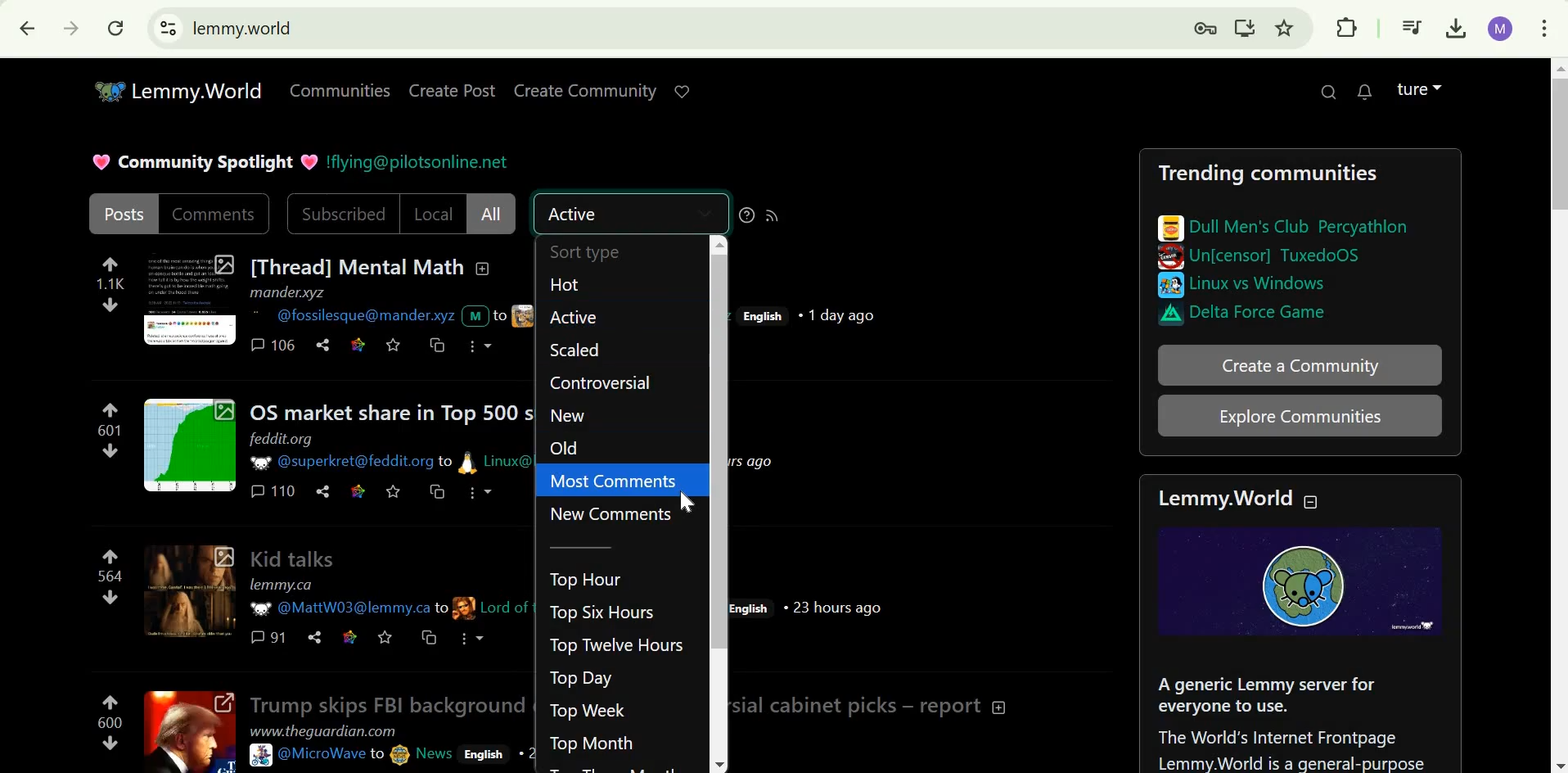  What do you see at coordinates (349, 636) in the screenshot?
I see `Link` at bounding box center [349, 636].